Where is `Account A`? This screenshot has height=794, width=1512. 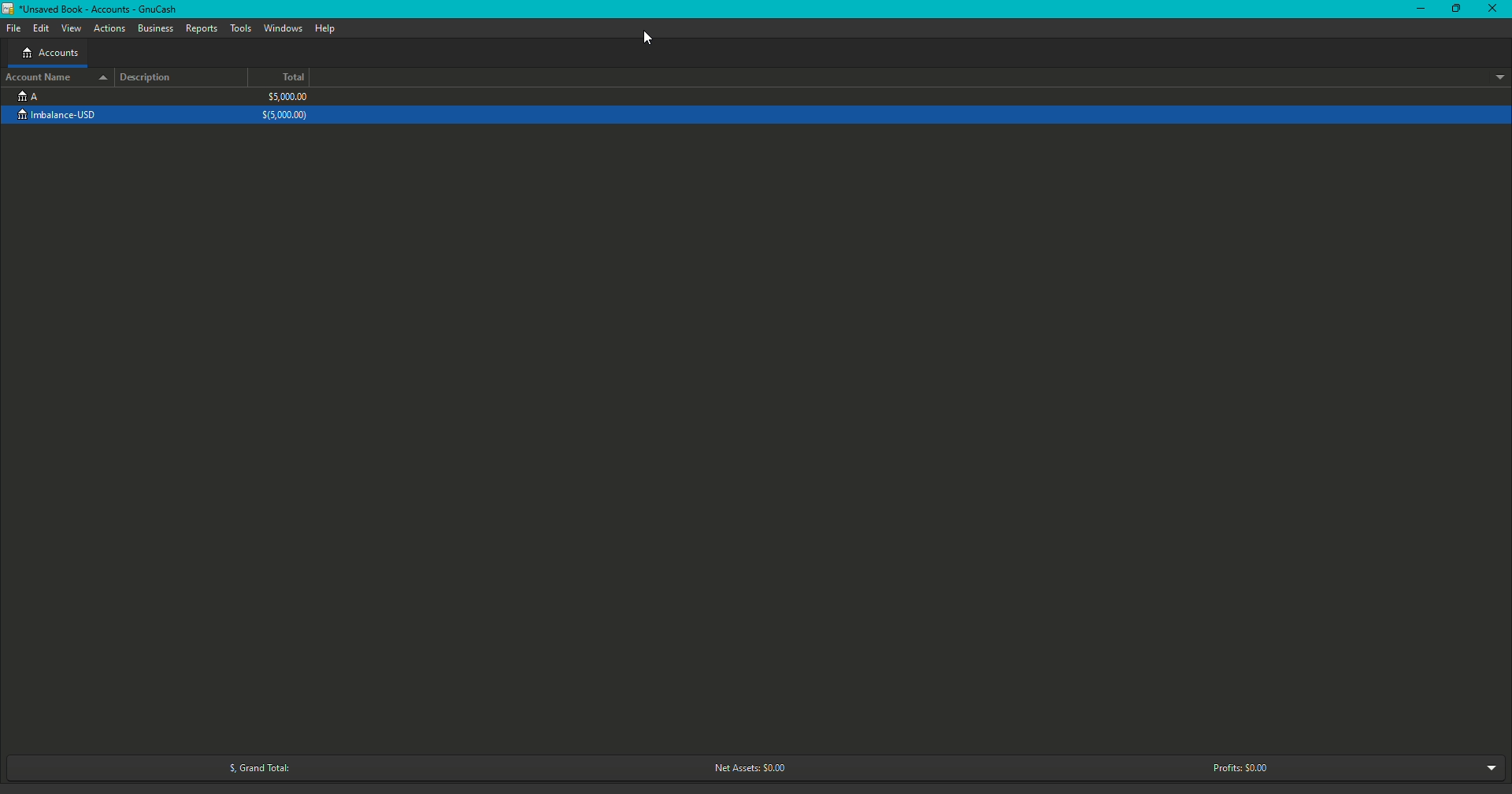
Account A is located at coordinates (28, 95).